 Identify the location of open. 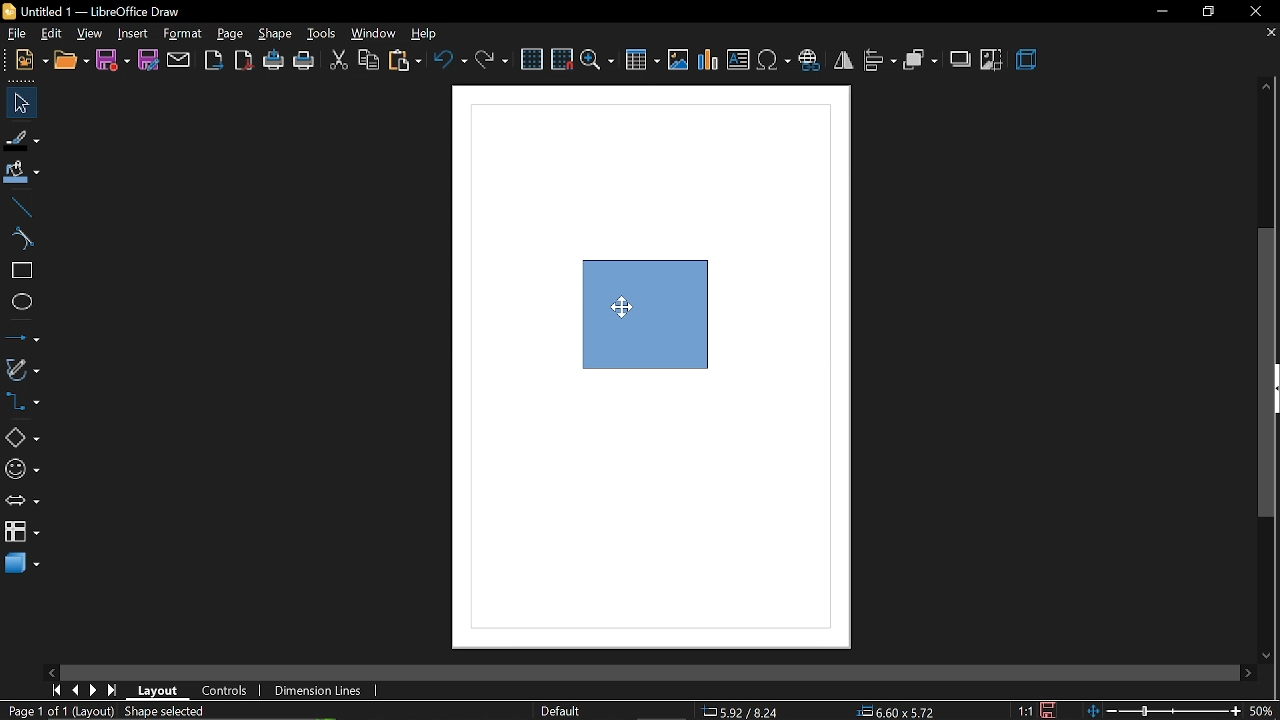
(70, 61).